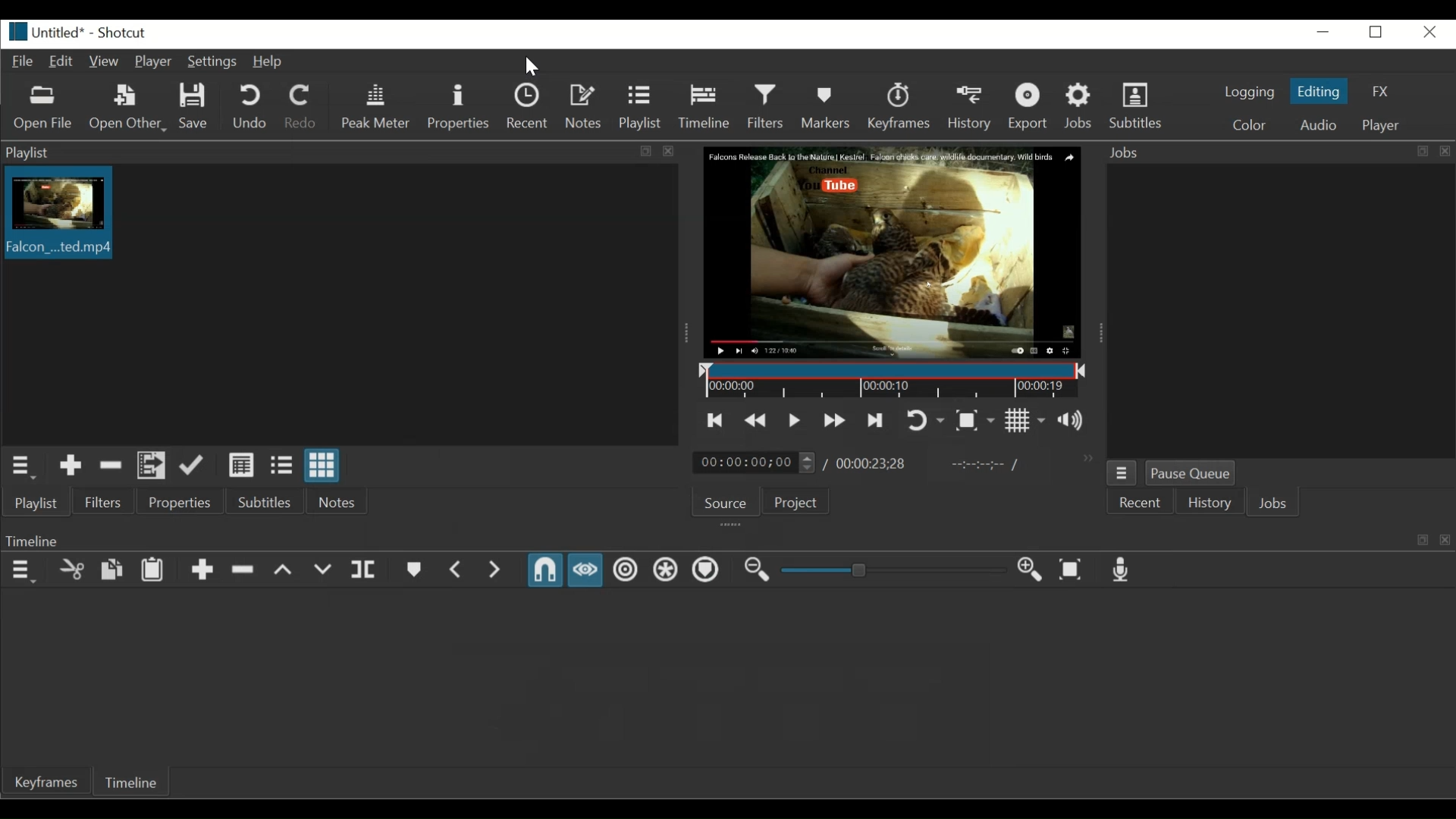  I want to click on Close, so click(1432, 33).